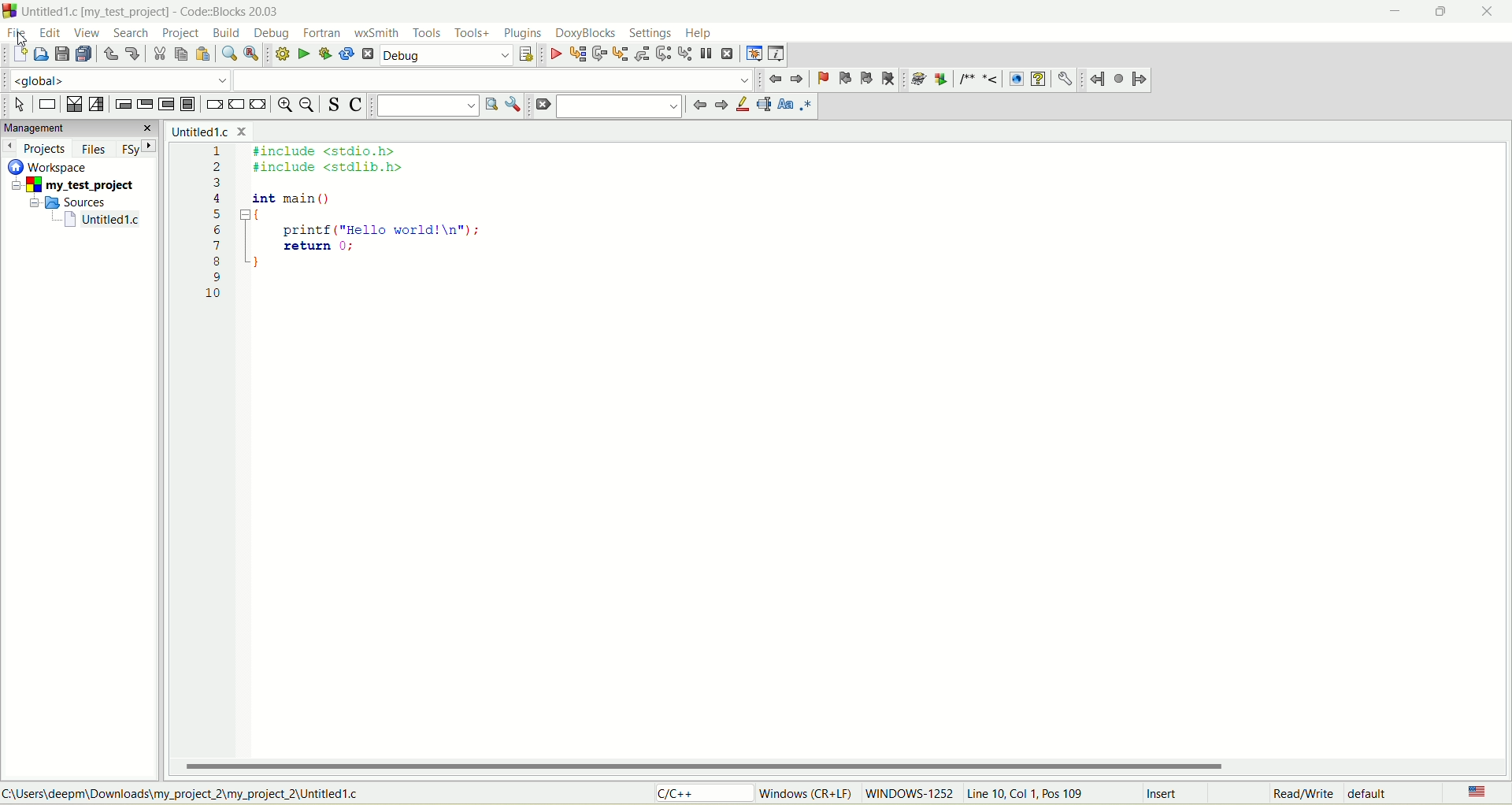 Image resolution: width=1512 pixels, height=805 pixels. What do you see at coordinates (280, 53) in the screenshot?
I see `build` at bounding box center [280, 53].